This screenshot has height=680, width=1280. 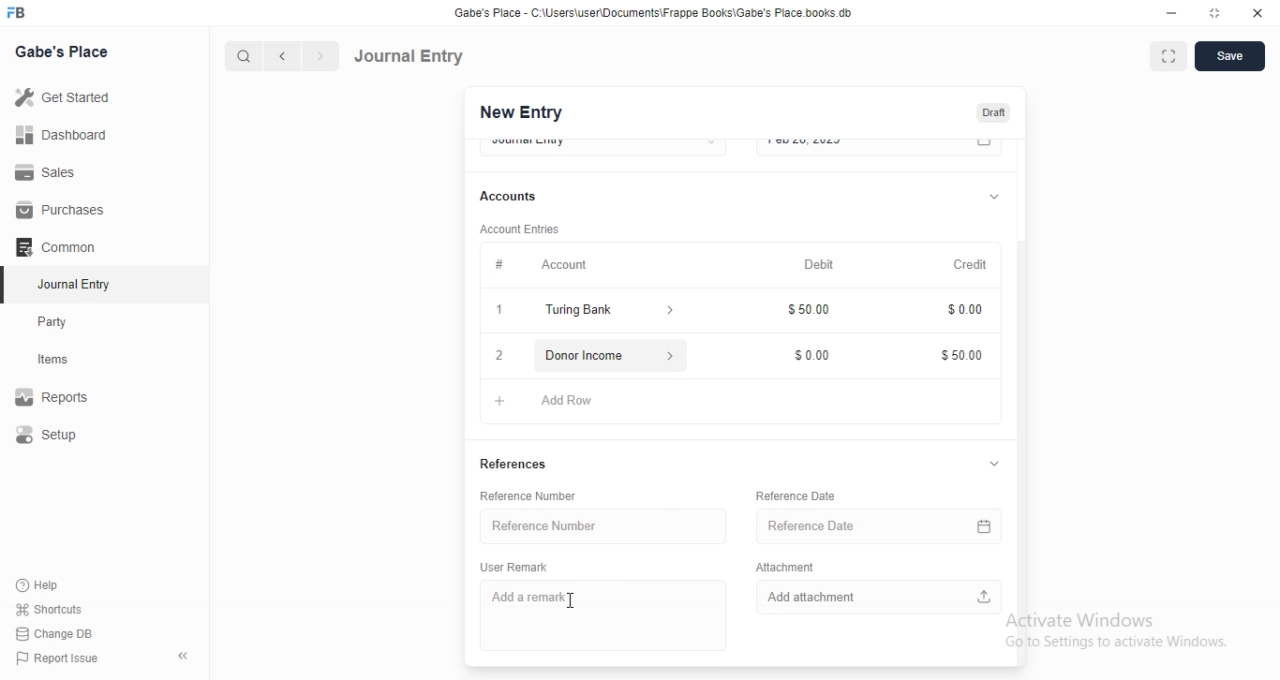 What do you see at coordinates (515, 466) in the screenshot?
I see `References` at bounding box center [515, 466].